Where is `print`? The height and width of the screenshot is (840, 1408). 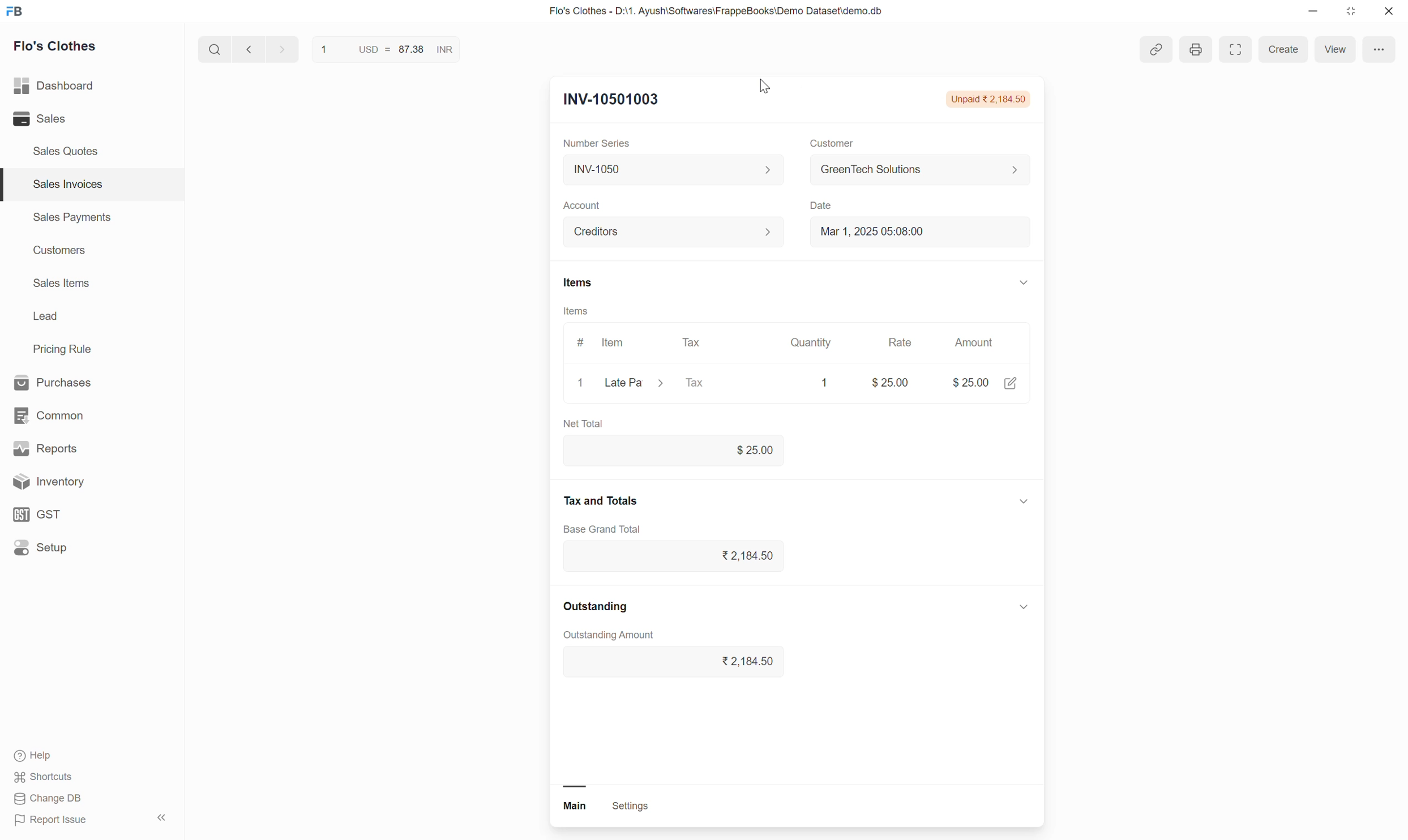 print is located at coordinates (1198, 48).